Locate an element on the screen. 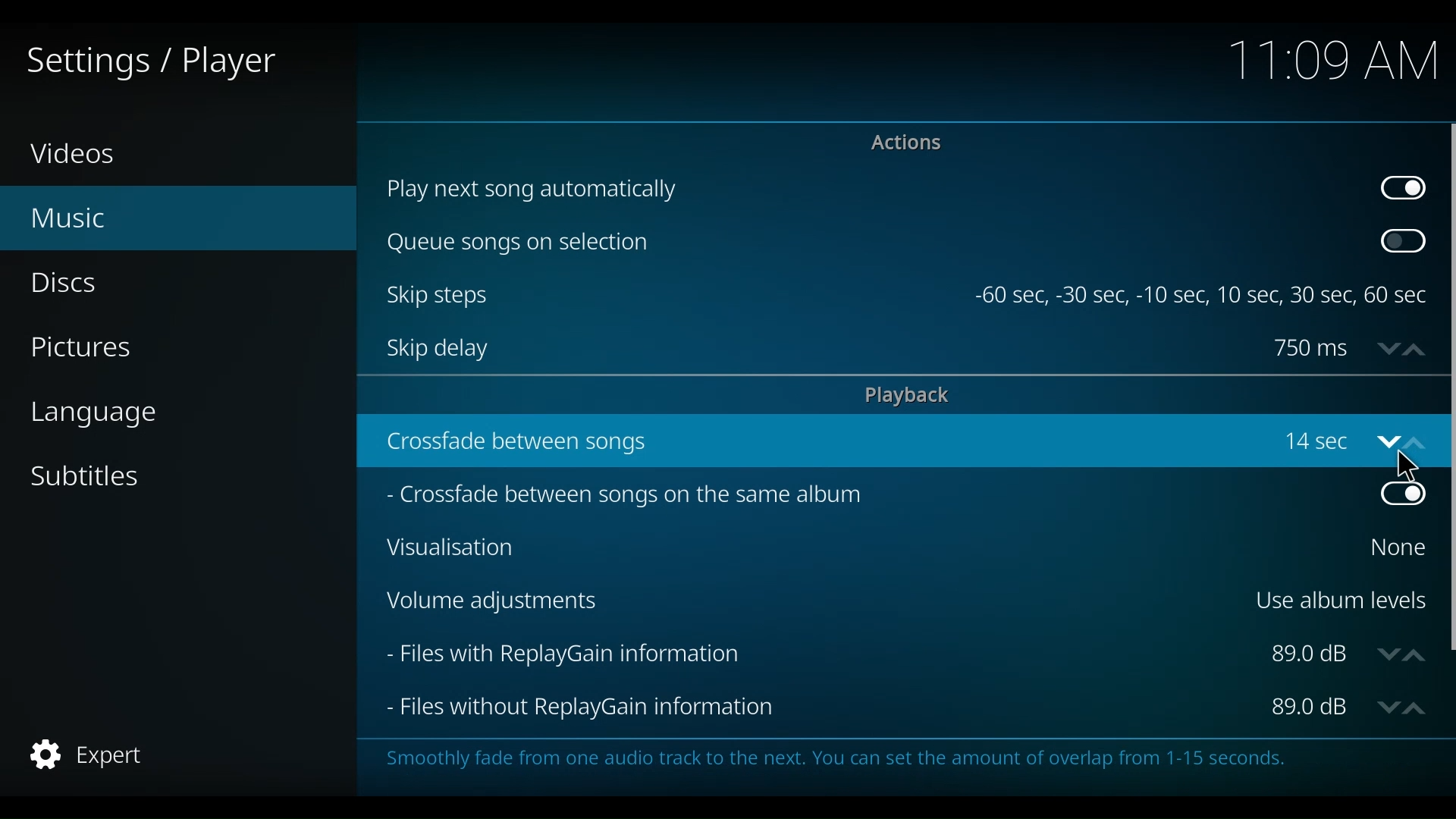 The width and height of the screenshot is (1456, 819). Skip delay is located at coordinates (816, 348).